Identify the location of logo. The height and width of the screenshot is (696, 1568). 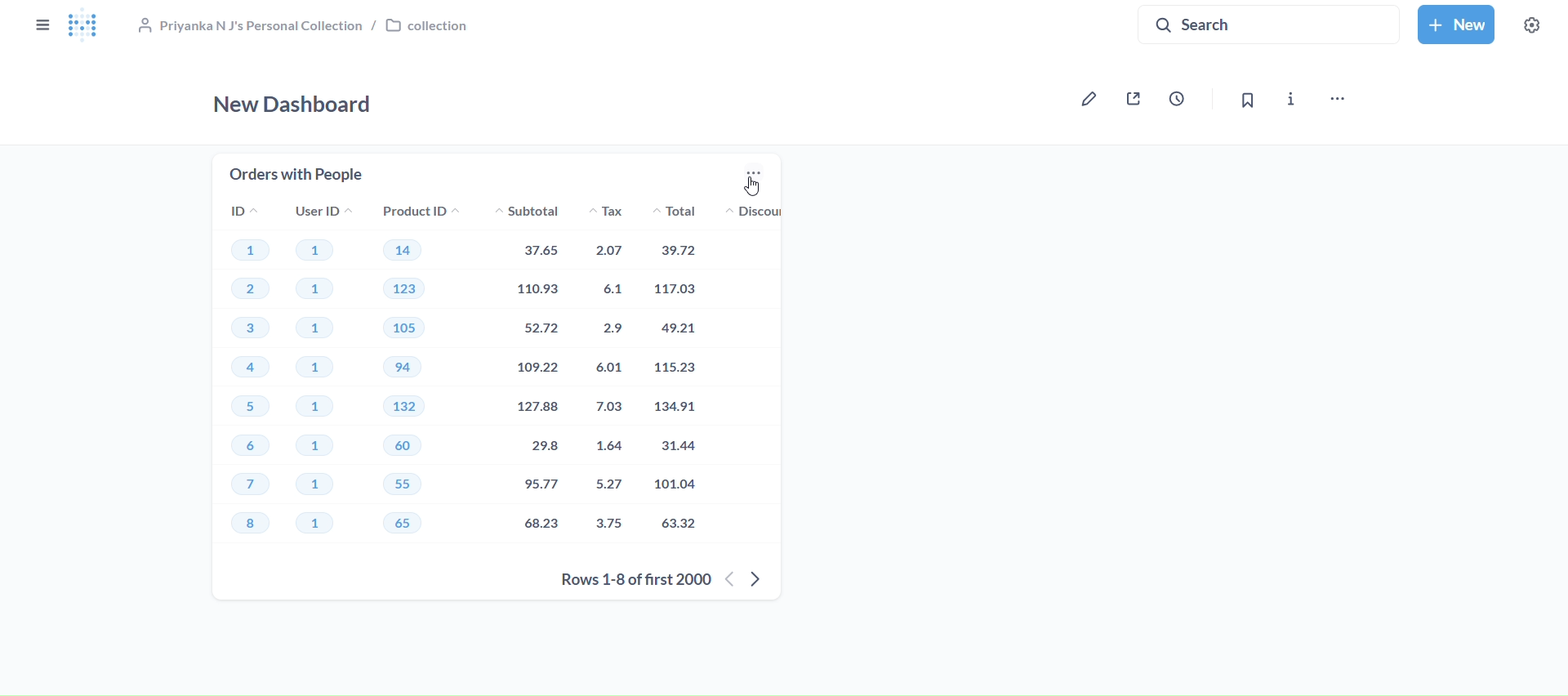
(89, 28).